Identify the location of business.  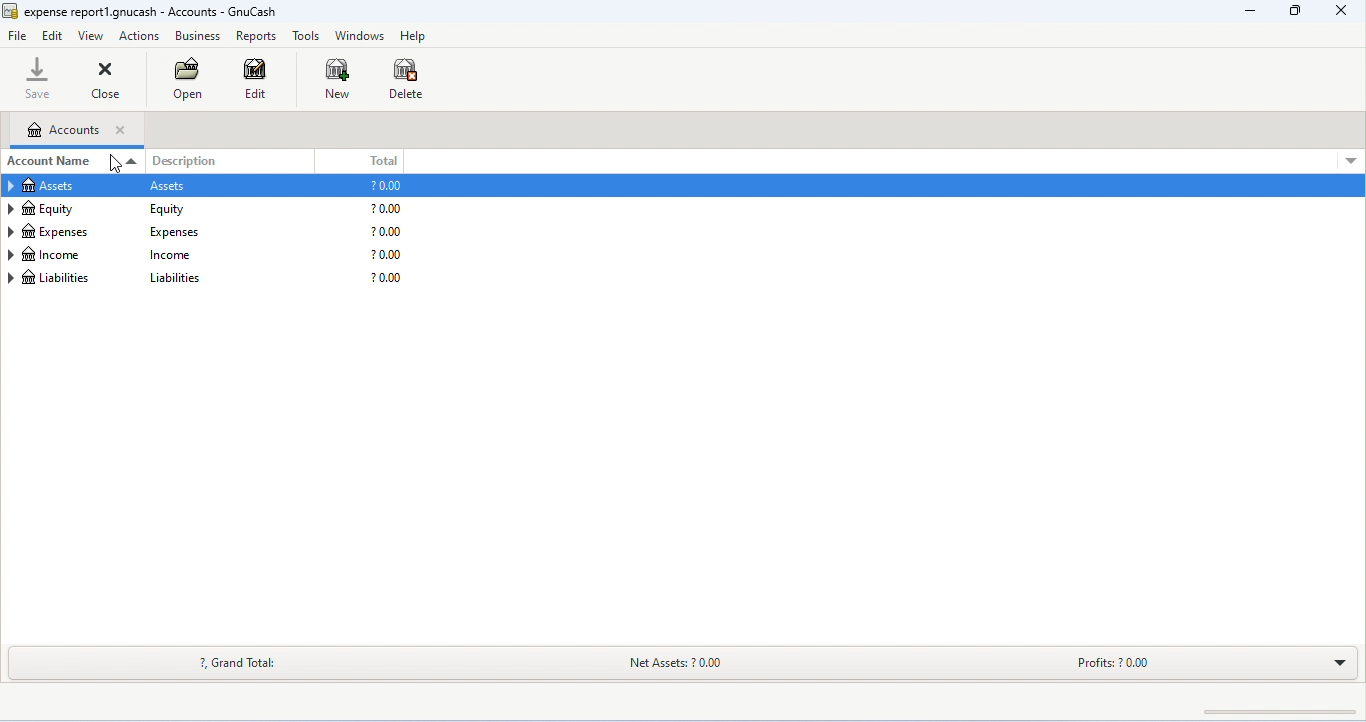
(198, 36).